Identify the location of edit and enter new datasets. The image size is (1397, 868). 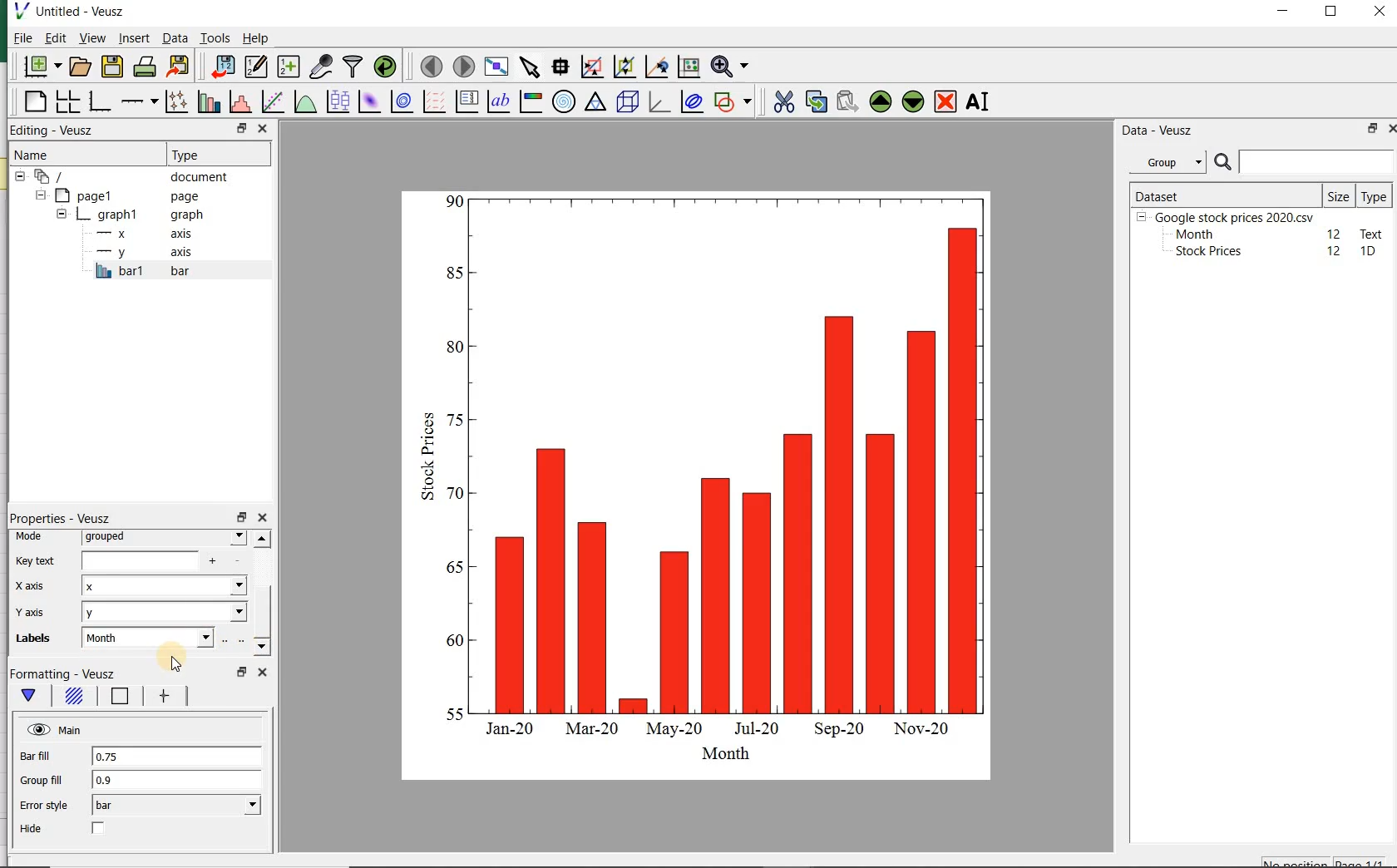
(255, 67).